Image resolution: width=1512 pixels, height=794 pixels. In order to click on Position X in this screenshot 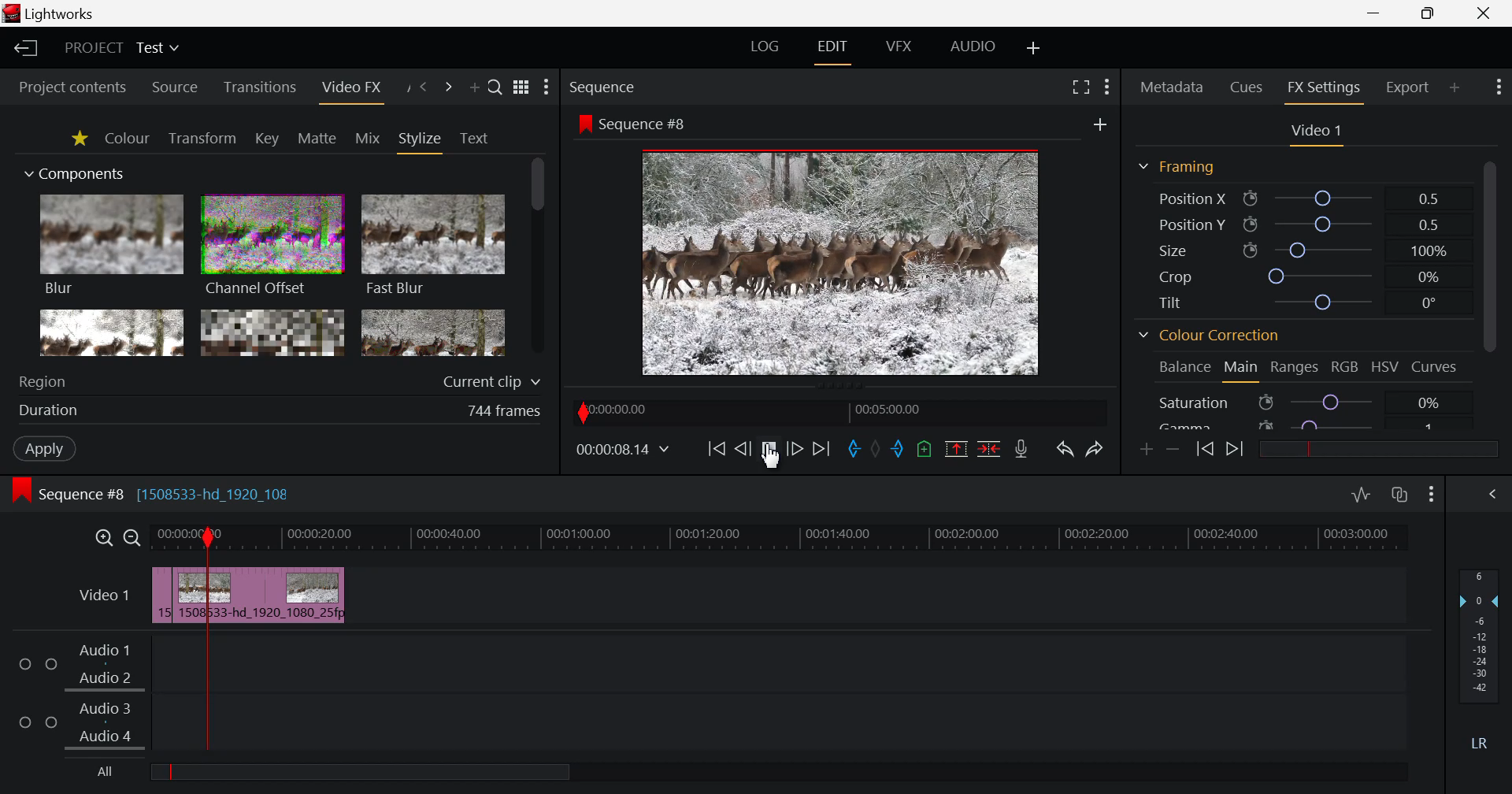, I will do `click(1300, 198)`.